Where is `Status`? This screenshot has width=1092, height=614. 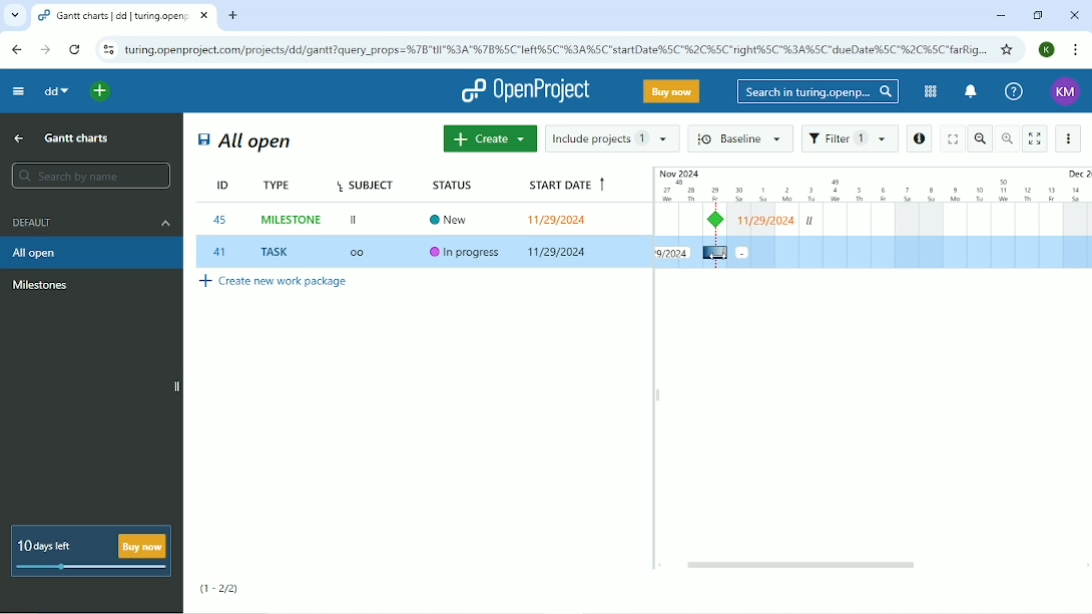
Status is located at coordinates (457, 185).